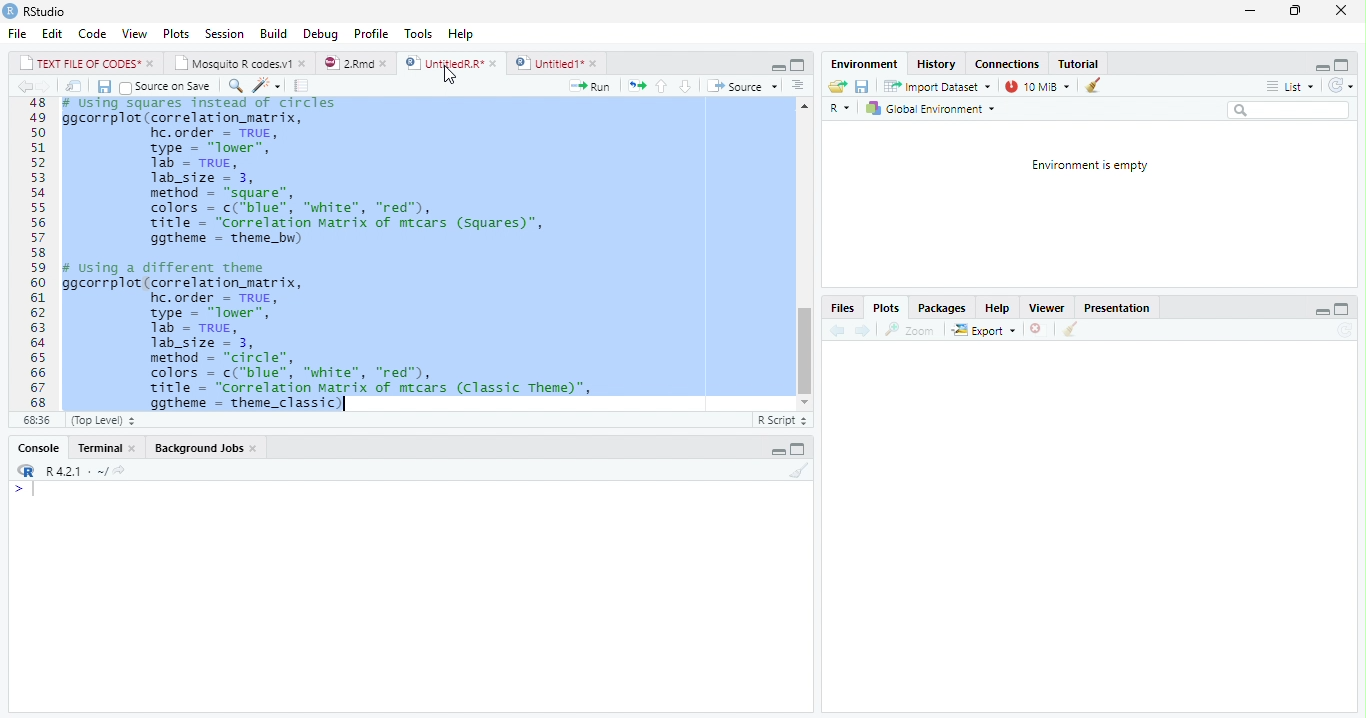 The height and width of the screenshot is (718, 1366). Describe the element at coordinates (1346, 65) in the screenshot. I see `hide console` at that location.